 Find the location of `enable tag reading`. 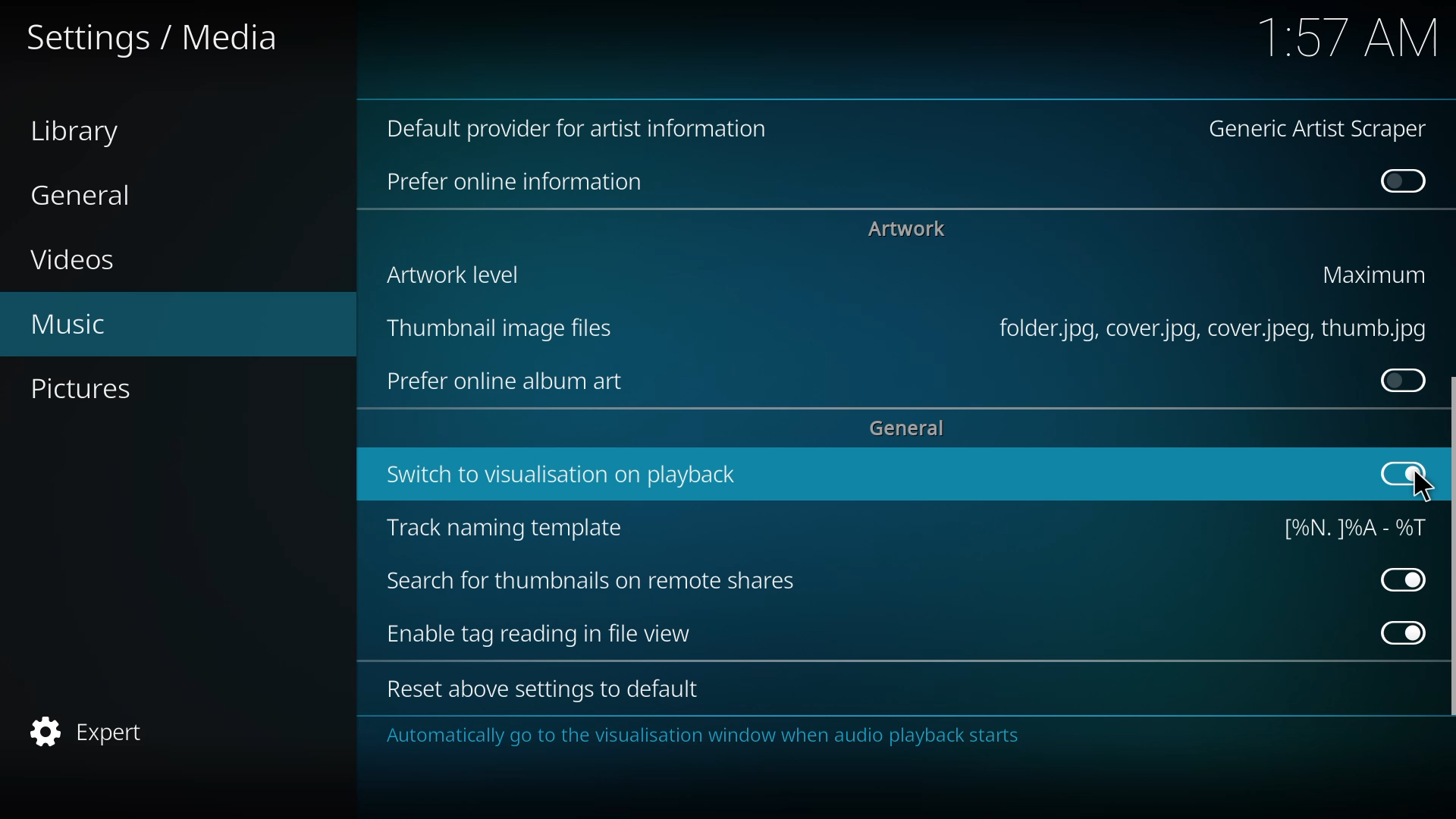

enable tag reading is located at coordinates (538, 635).